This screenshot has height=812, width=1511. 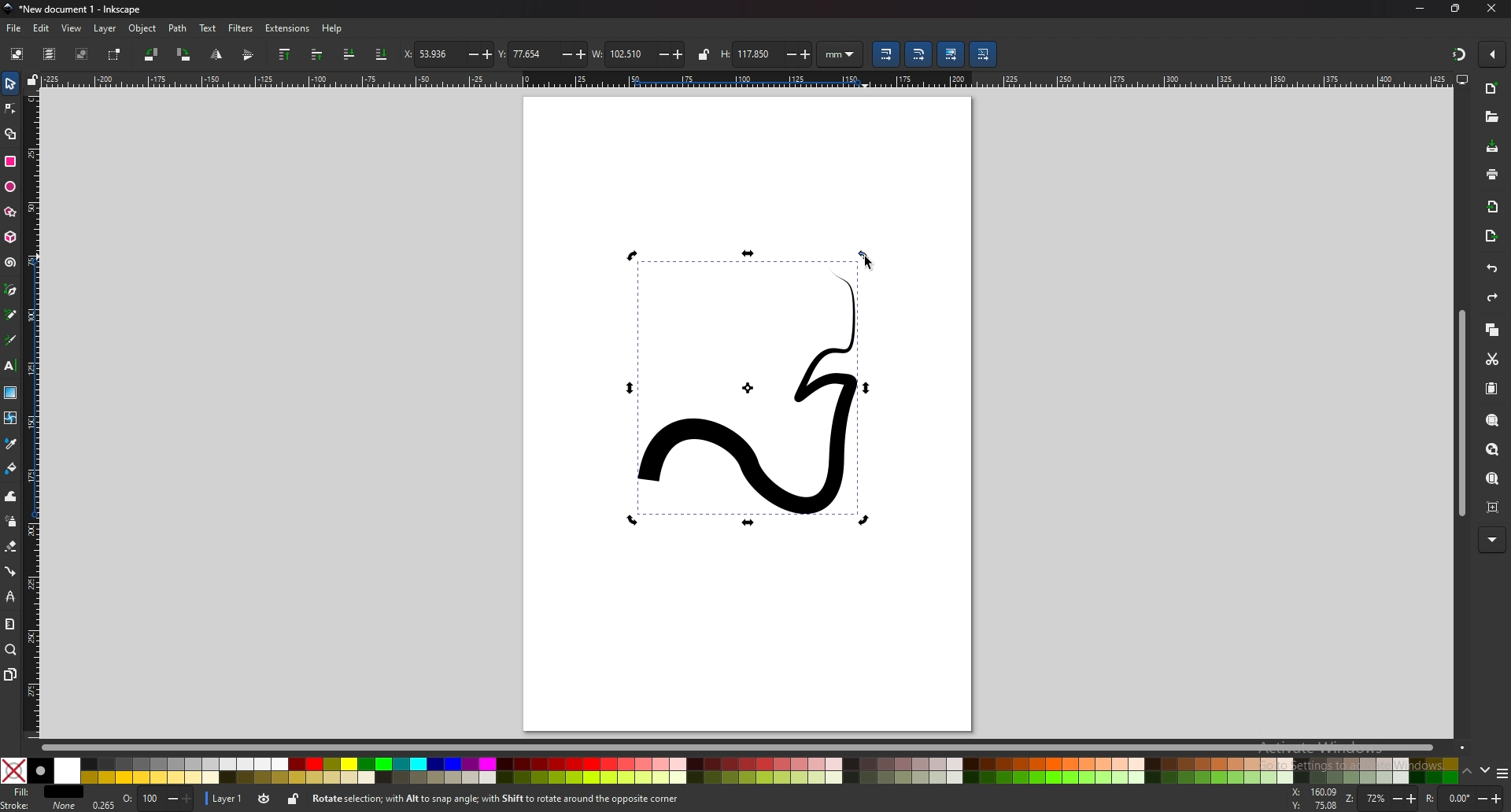 I want to click on edit, so click(x=41, y=28).